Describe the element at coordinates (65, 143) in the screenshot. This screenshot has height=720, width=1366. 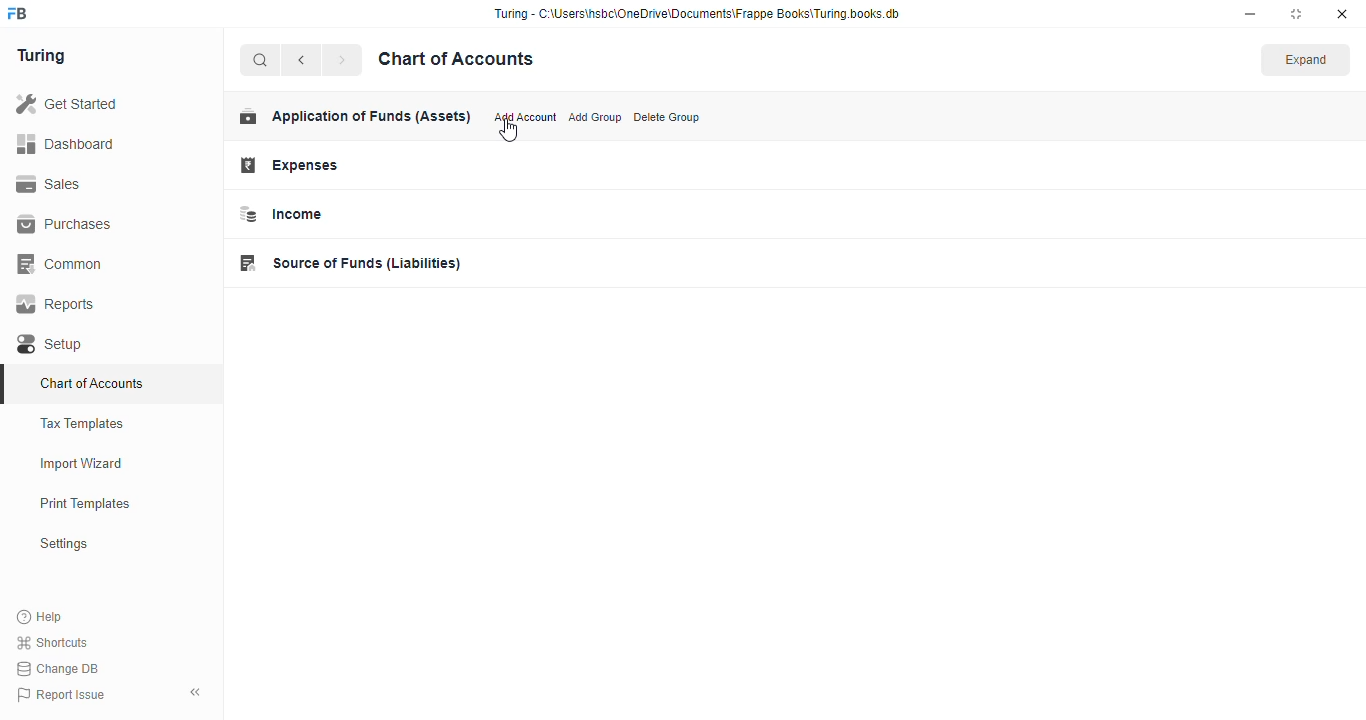
I see `dashboard` at that location.